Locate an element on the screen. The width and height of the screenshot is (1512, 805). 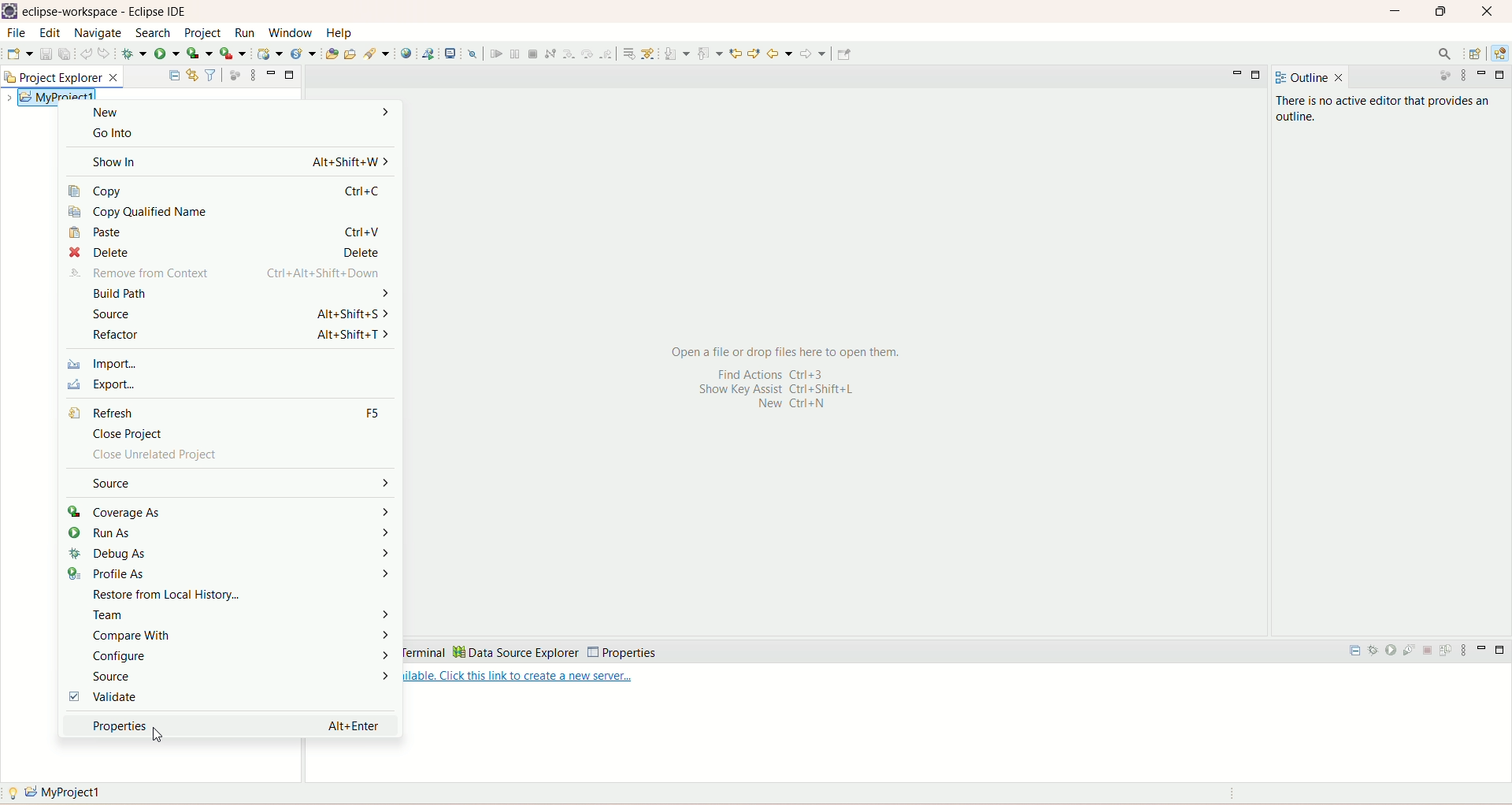
open a file or drop files here to open them is located at coordinates (785, 351).